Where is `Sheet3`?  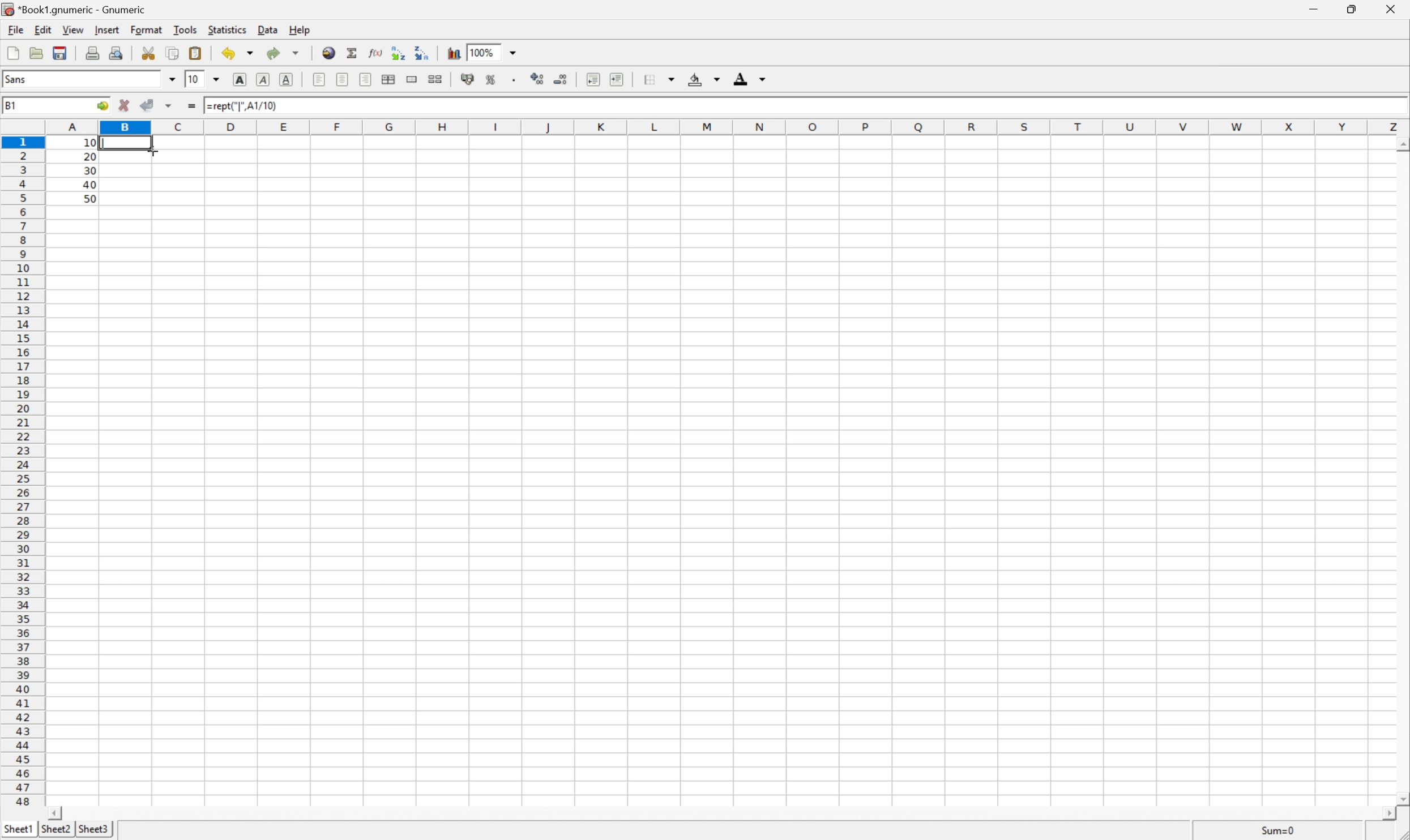 Sheet3 is located at coordinates (95, 829).